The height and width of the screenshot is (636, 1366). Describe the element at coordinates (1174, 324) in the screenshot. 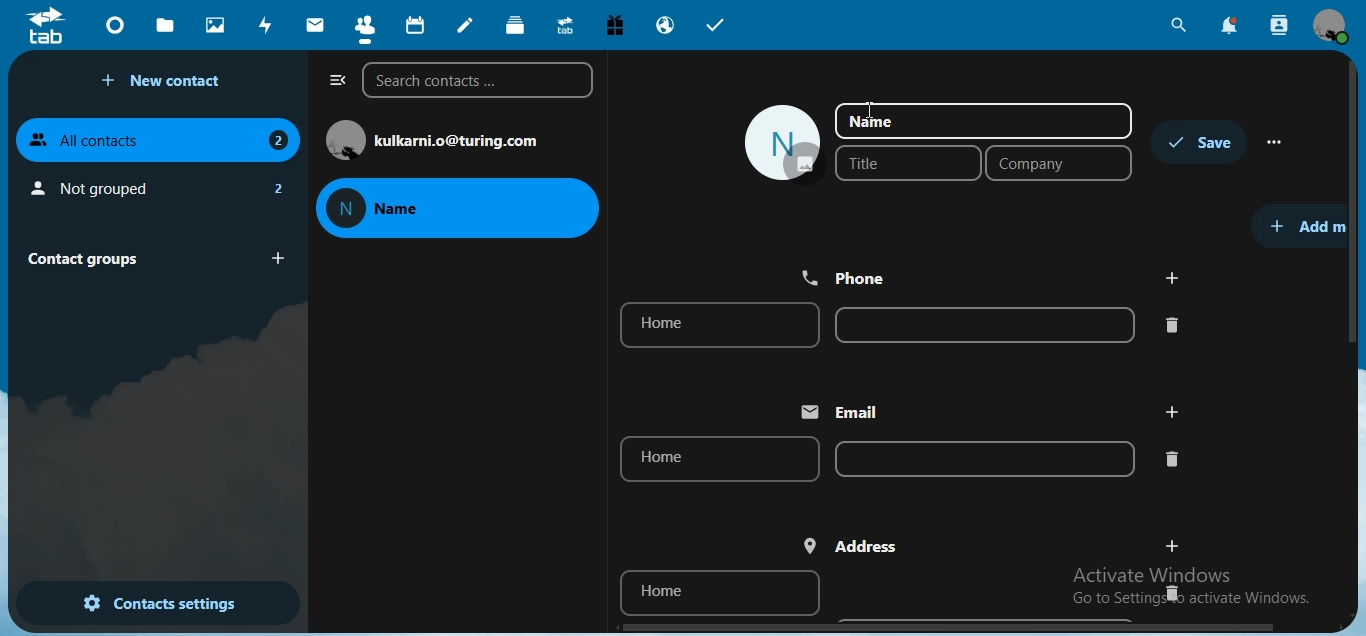

I see `delete` at that location.